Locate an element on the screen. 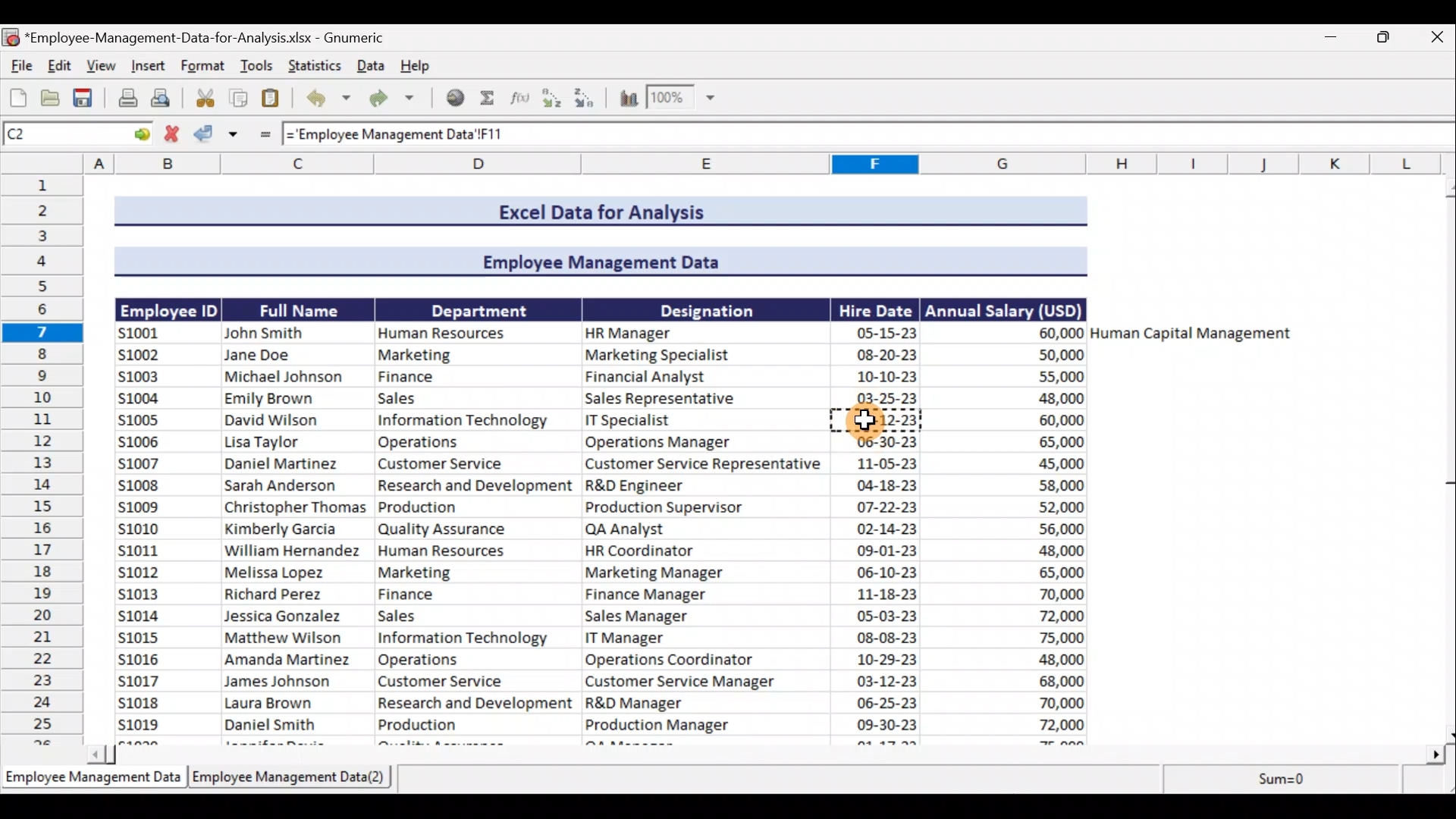  View is located at coordinates (104, 67).